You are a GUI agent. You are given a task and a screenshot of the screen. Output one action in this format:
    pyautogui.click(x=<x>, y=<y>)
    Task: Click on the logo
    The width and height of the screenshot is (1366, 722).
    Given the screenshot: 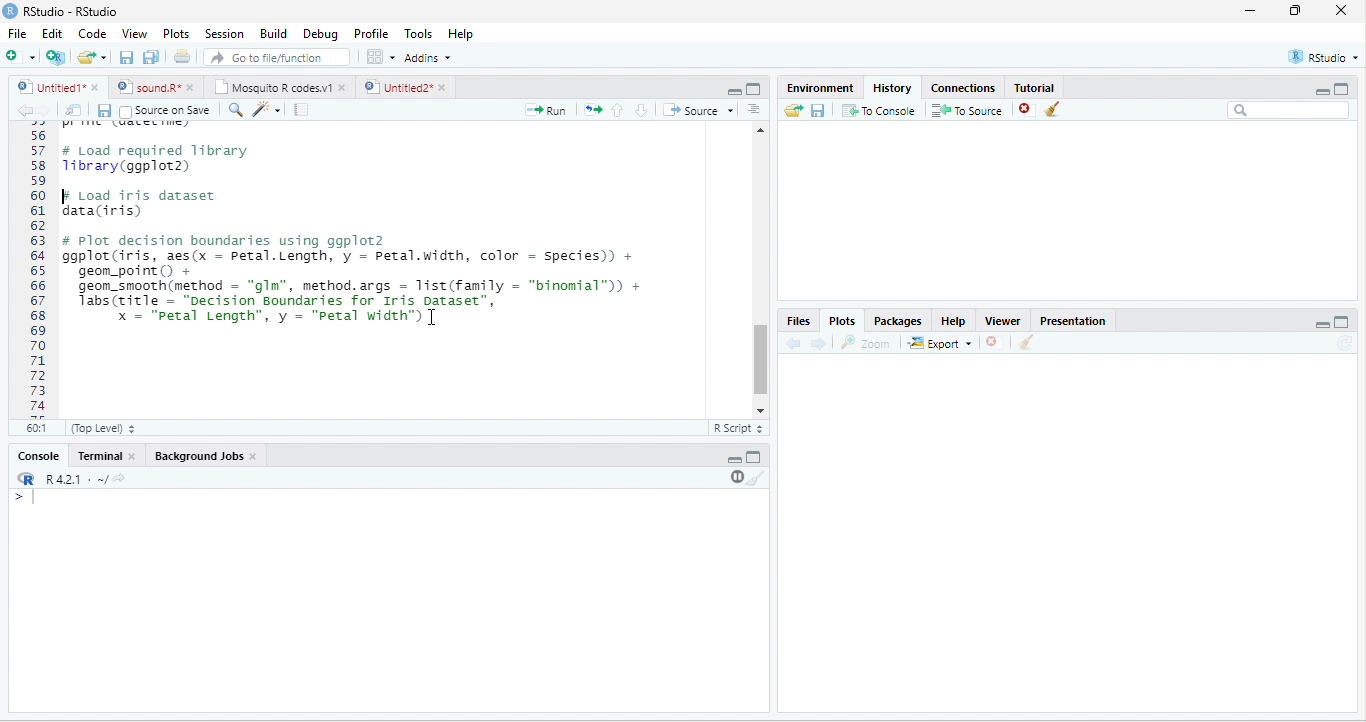 What is the action you would take?
    pyautogui.click(x=9, y=11)
    